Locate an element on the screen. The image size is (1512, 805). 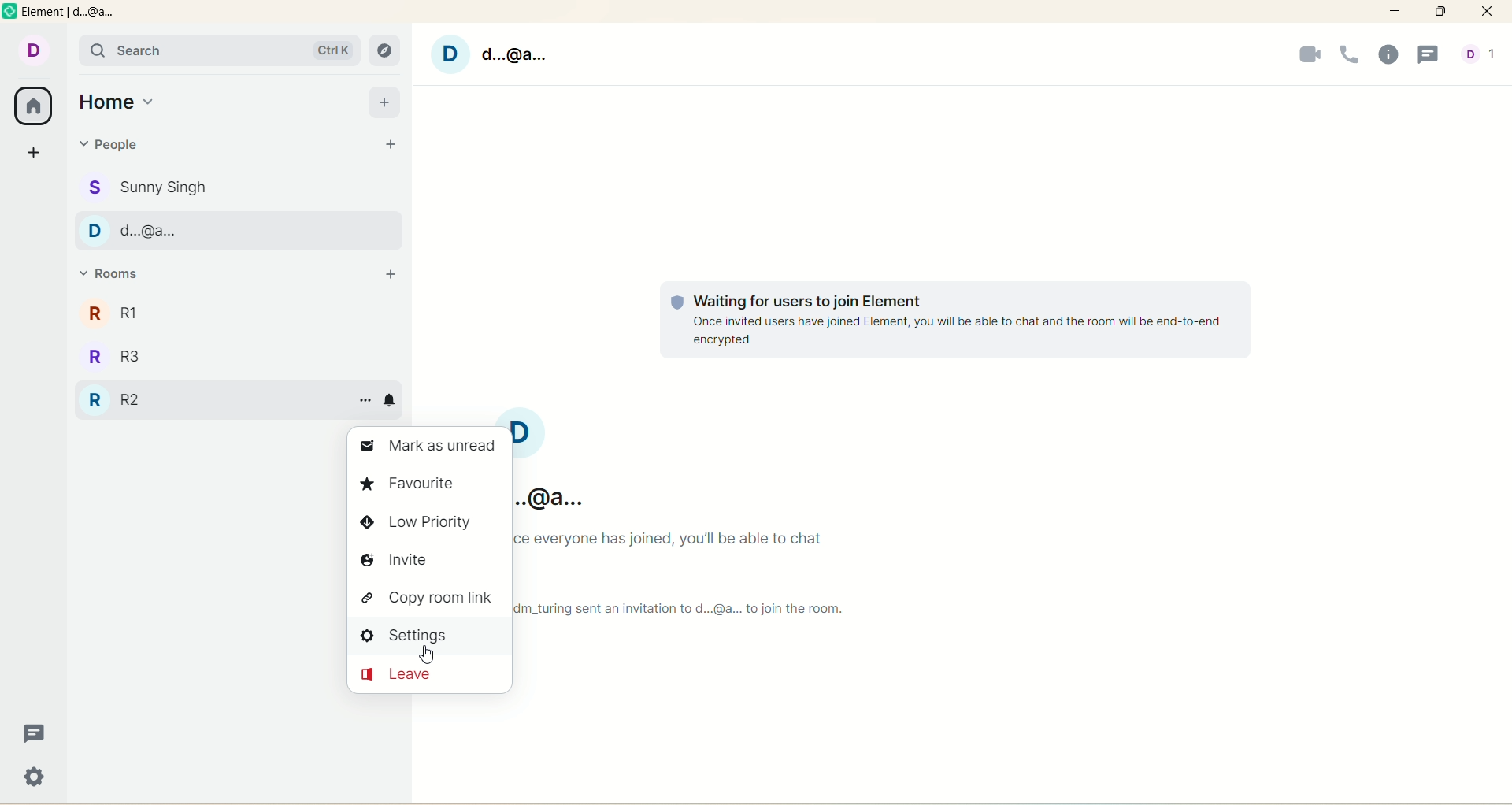
people is located at coordinates (110, 144).